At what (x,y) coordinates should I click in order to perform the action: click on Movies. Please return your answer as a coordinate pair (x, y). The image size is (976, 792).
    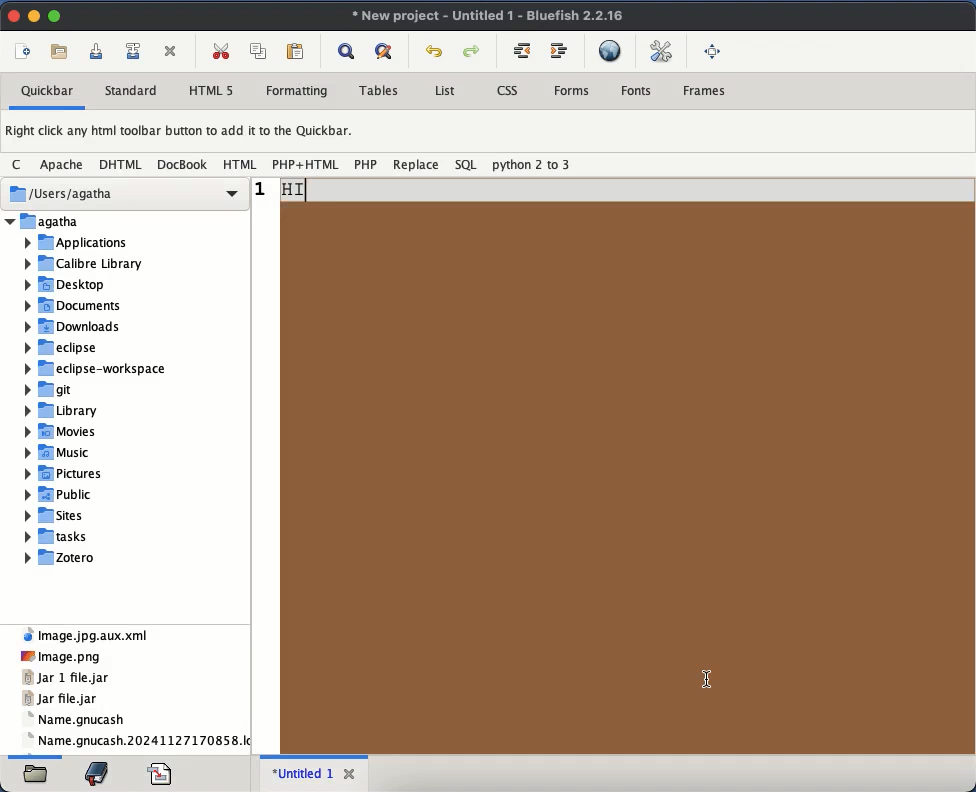
    Looking at the image, I should click on (60, 432).